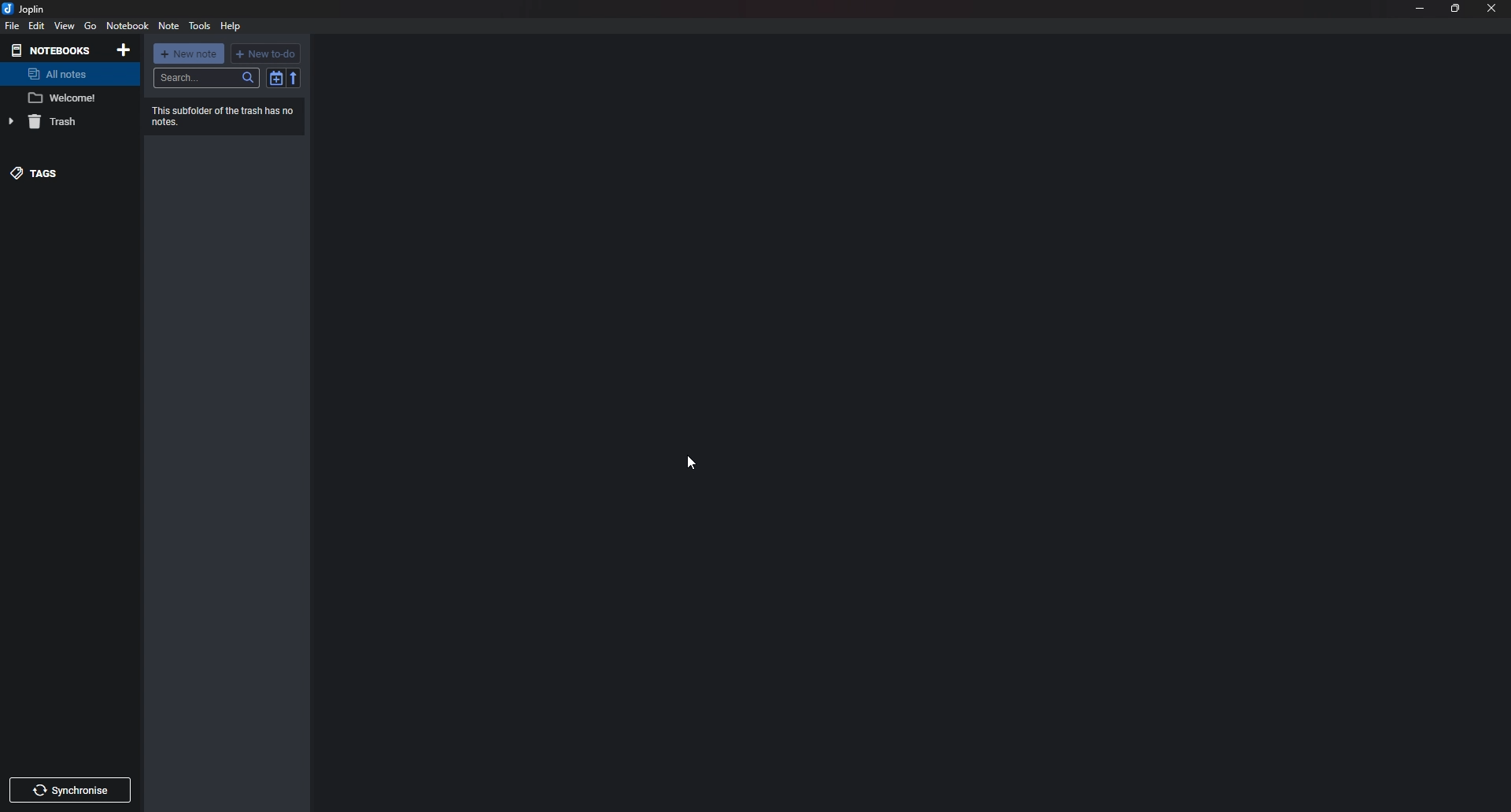 This screenshot has height=812, width=1511. Describe the element at coordinates (91, 28) in the screenshot. I see `go` at that location.